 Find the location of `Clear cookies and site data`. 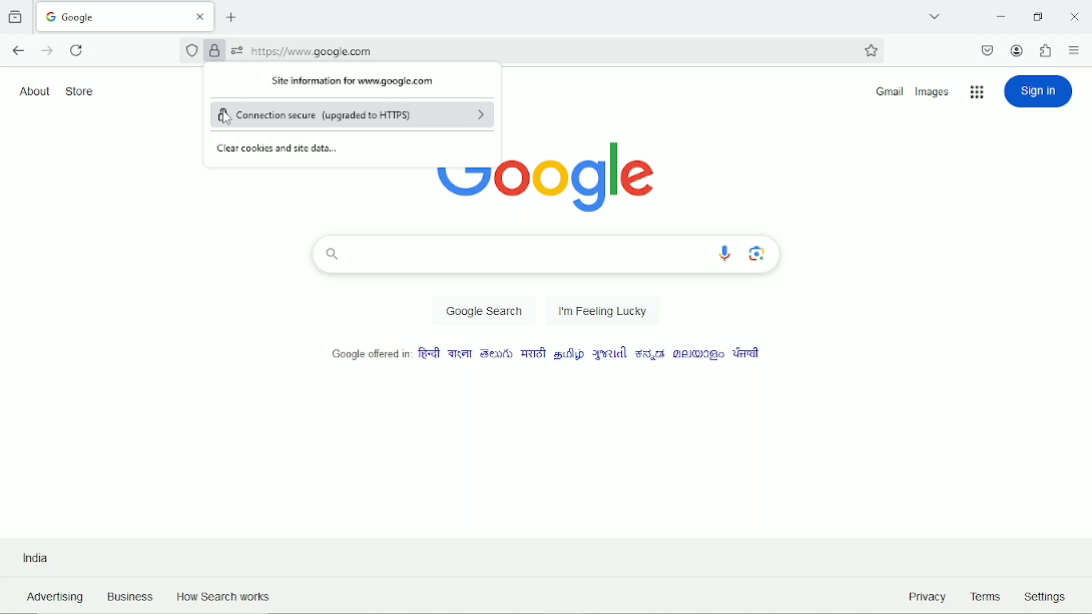

Clear cookies and site data is located at coordinates (277, 148).